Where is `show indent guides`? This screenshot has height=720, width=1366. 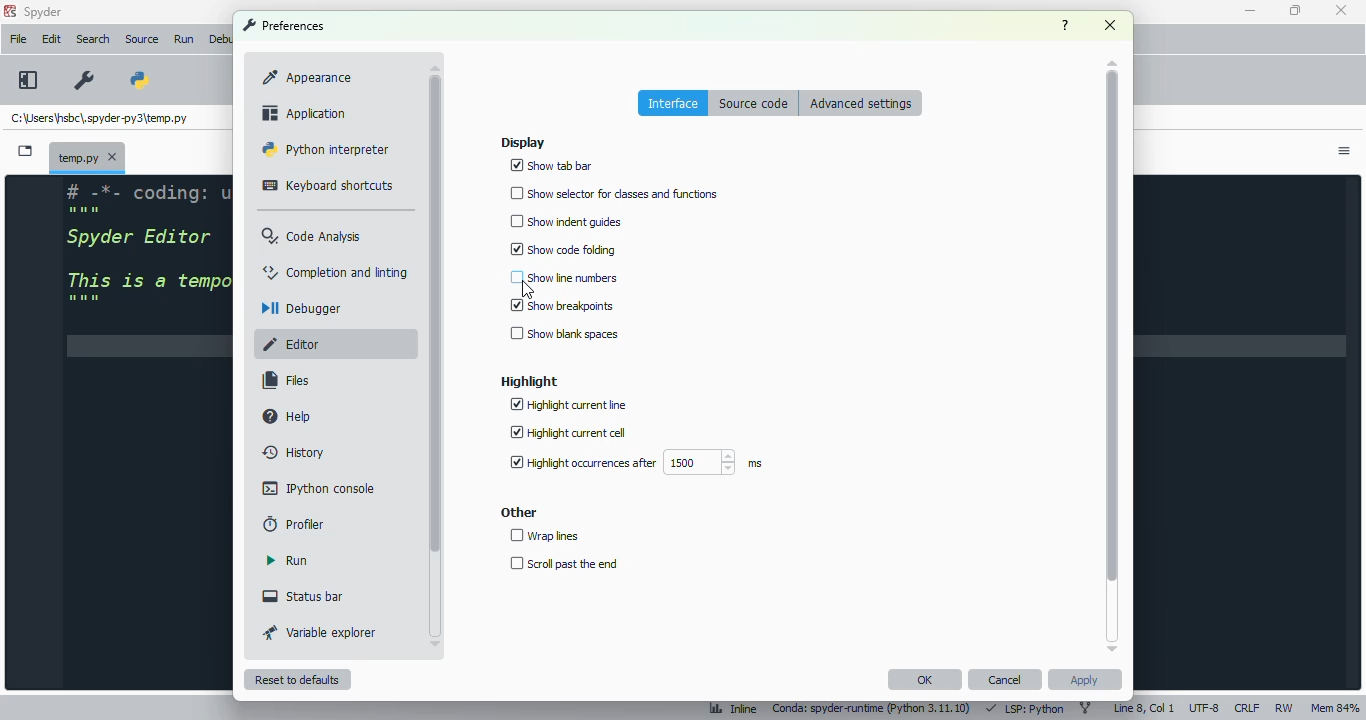 show indent guides is located at coordinates (565, 222).